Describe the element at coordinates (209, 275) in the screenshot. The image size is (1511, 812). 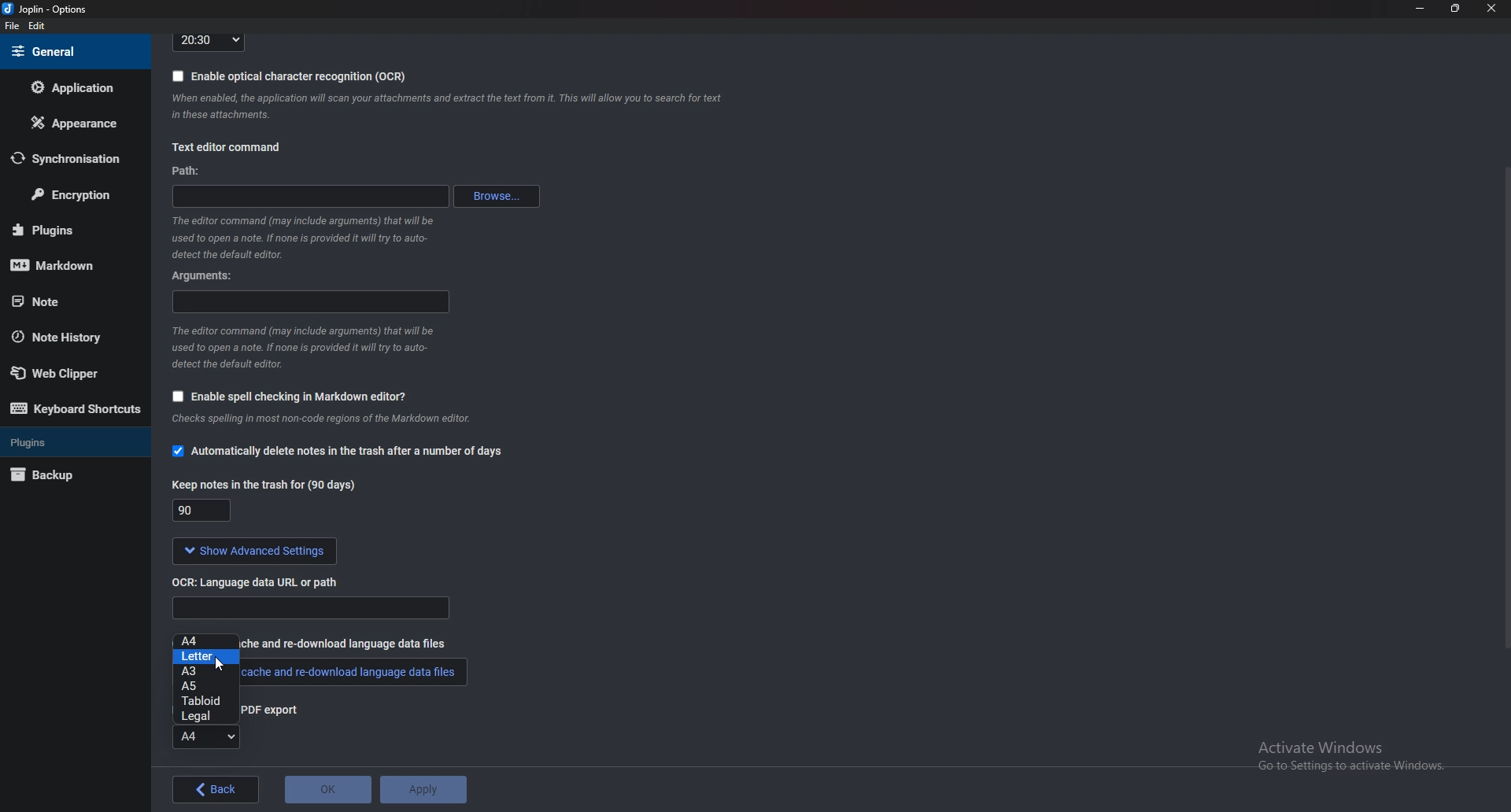
I see `Arguments` at that location.